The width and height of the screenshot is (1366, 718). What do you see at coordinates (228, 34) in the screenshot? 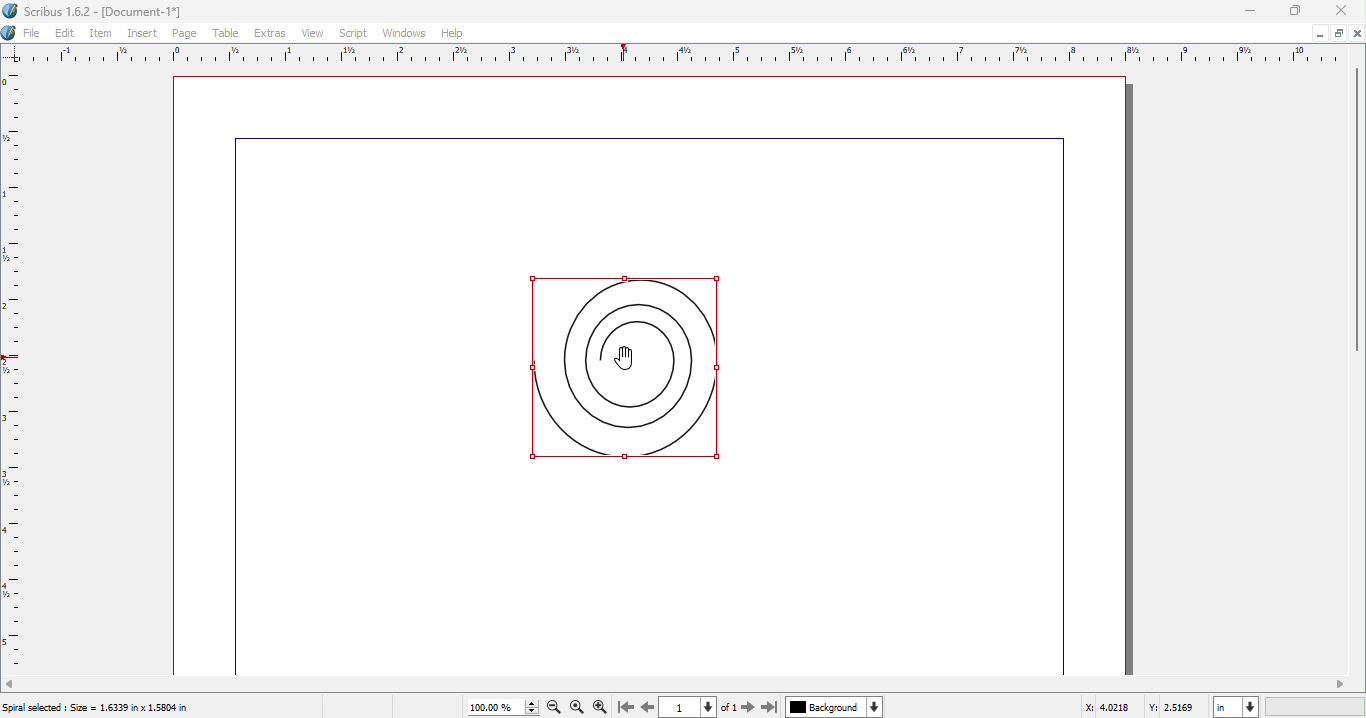
I see `Table` at bounding box center [228, 34].